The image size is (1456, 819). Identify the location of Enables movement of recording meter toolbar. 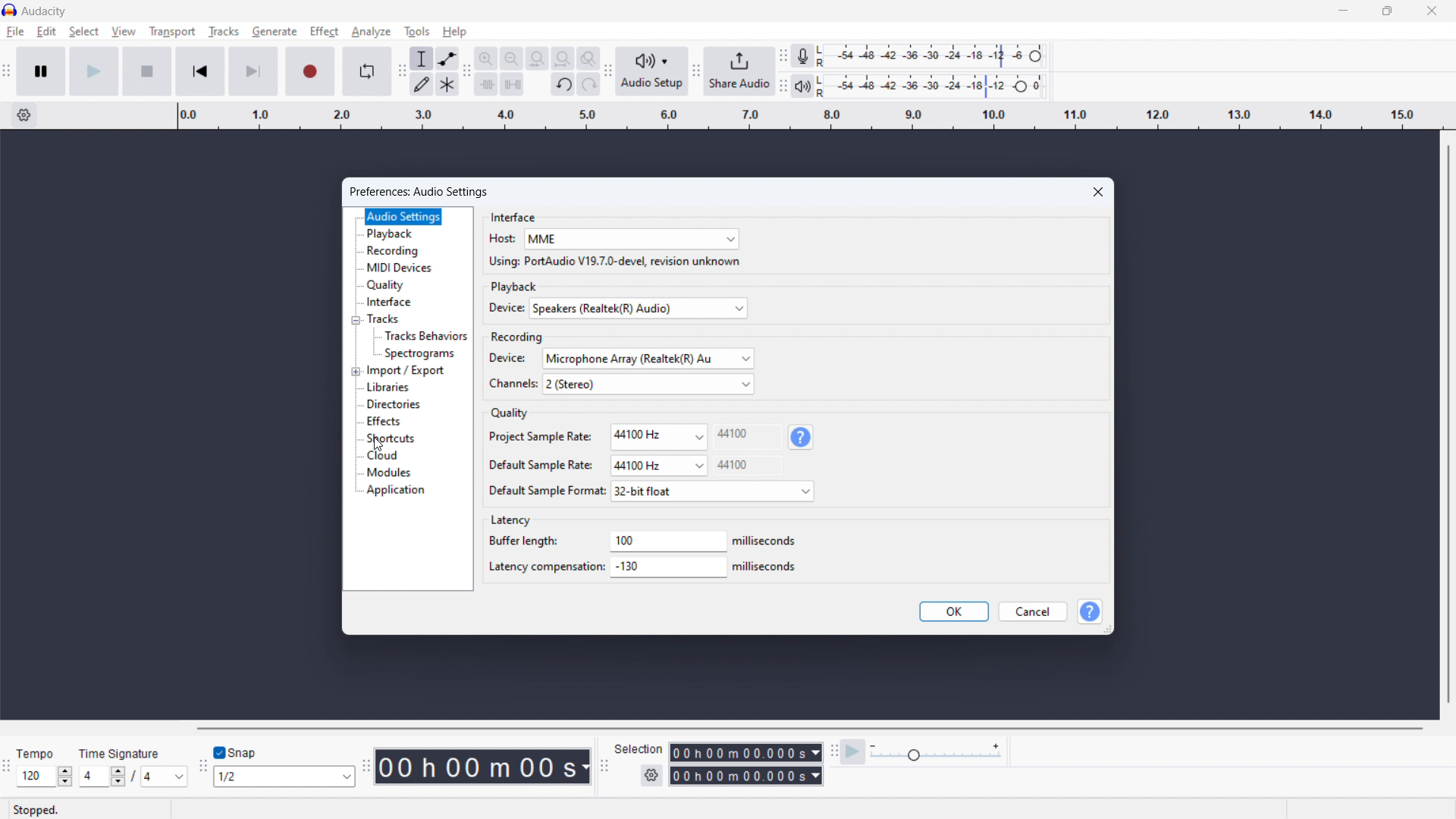
(783, 55).